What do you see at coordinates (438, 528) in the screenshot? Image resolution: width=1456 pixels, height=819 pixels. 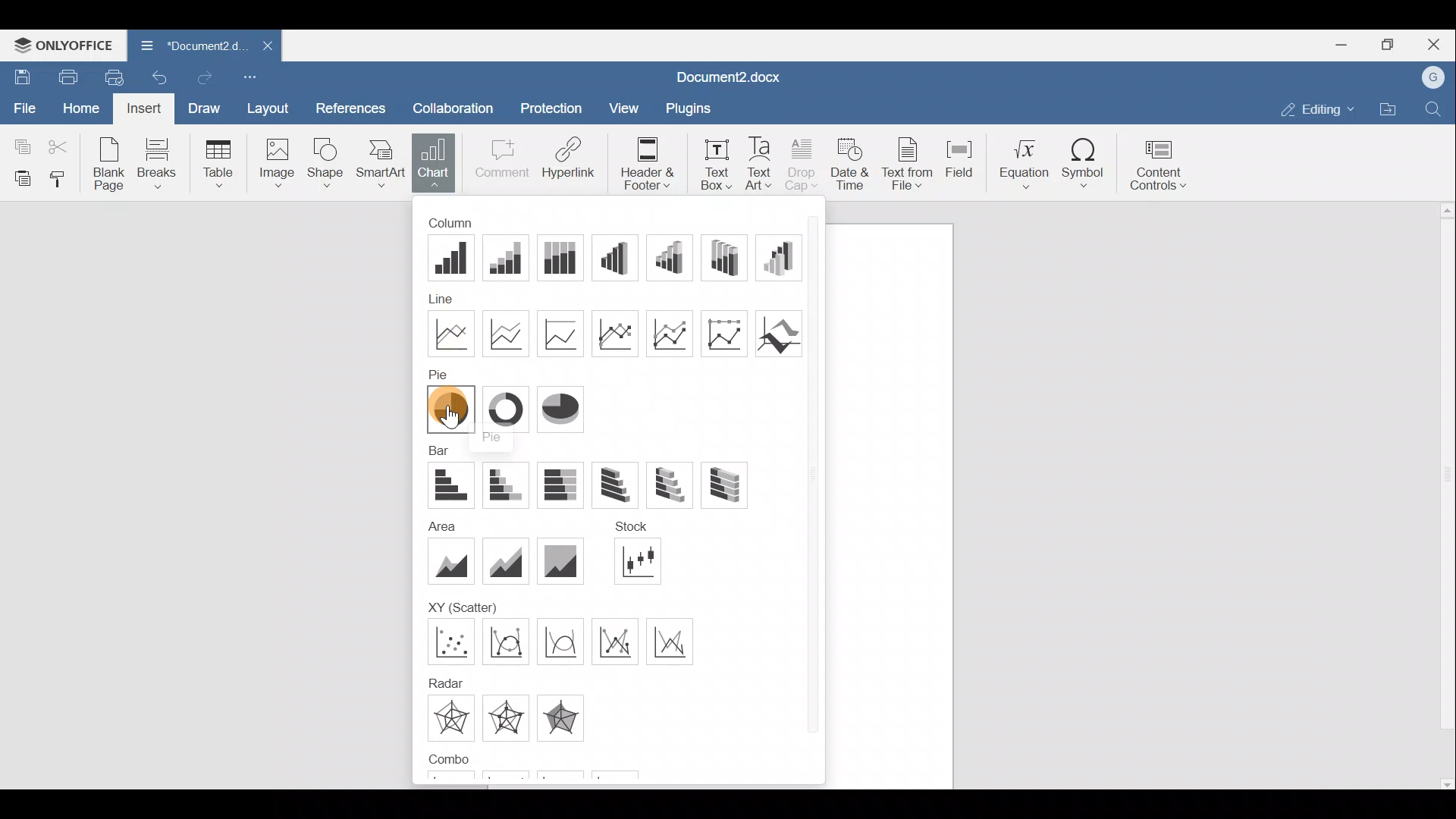 I see `Area` at bounding box center [438, 528].